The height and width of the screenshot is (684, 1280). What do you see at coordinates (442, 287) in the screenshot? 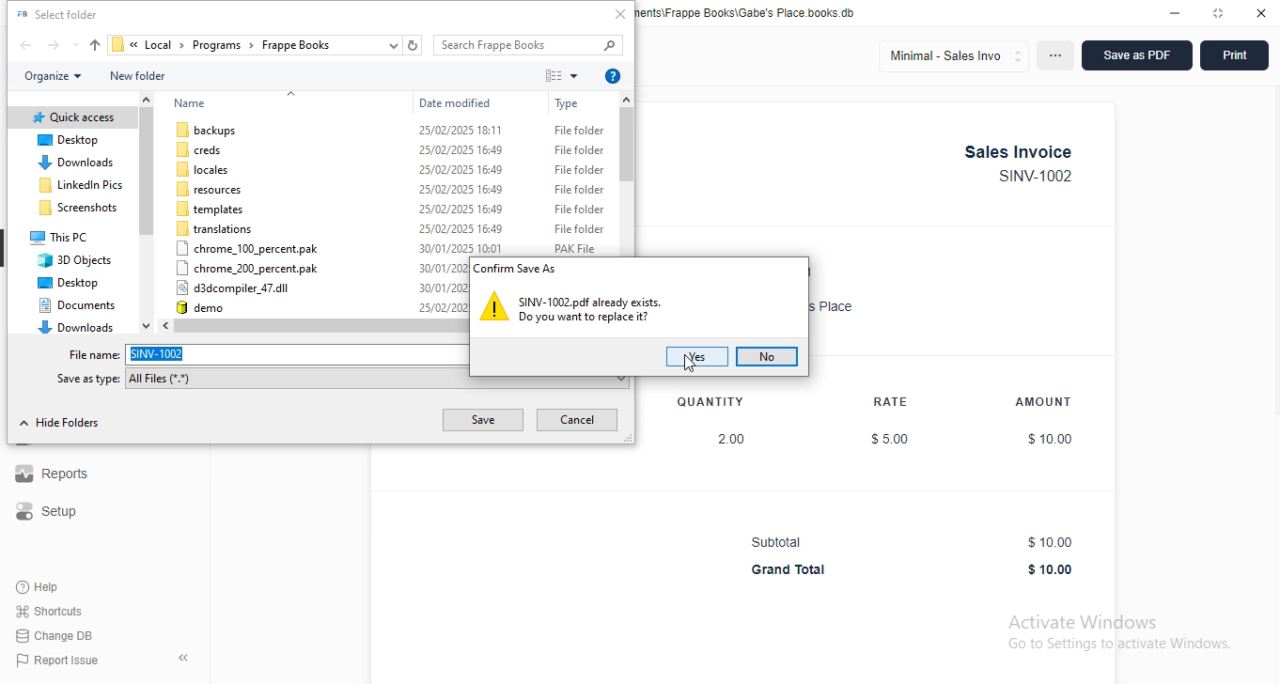
I see `30/01/2025 10:01` at bounding box center [442, 287].